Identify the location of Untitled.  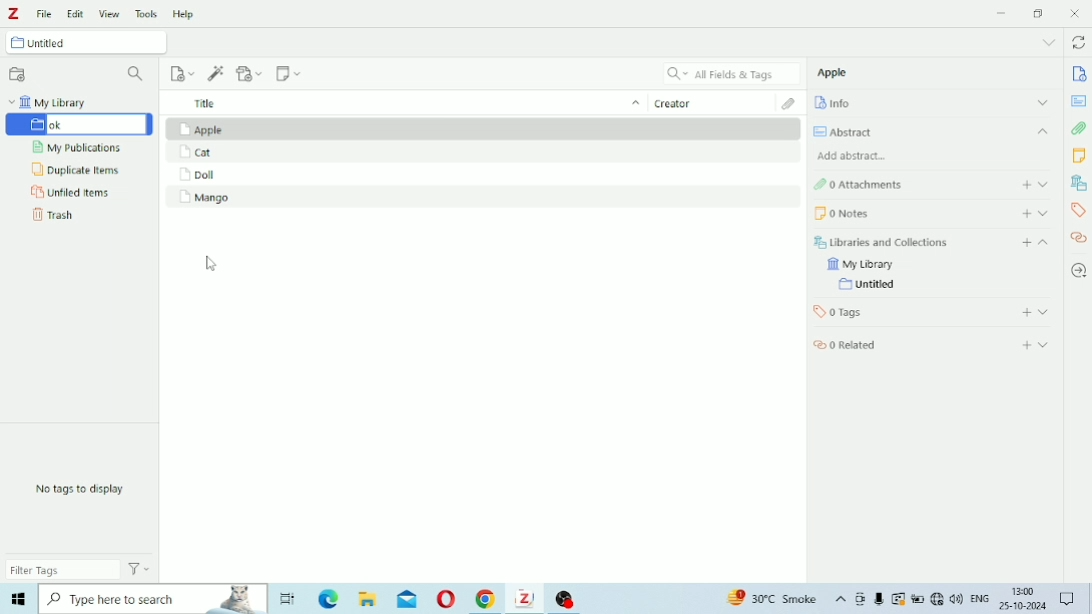
(870, 285).